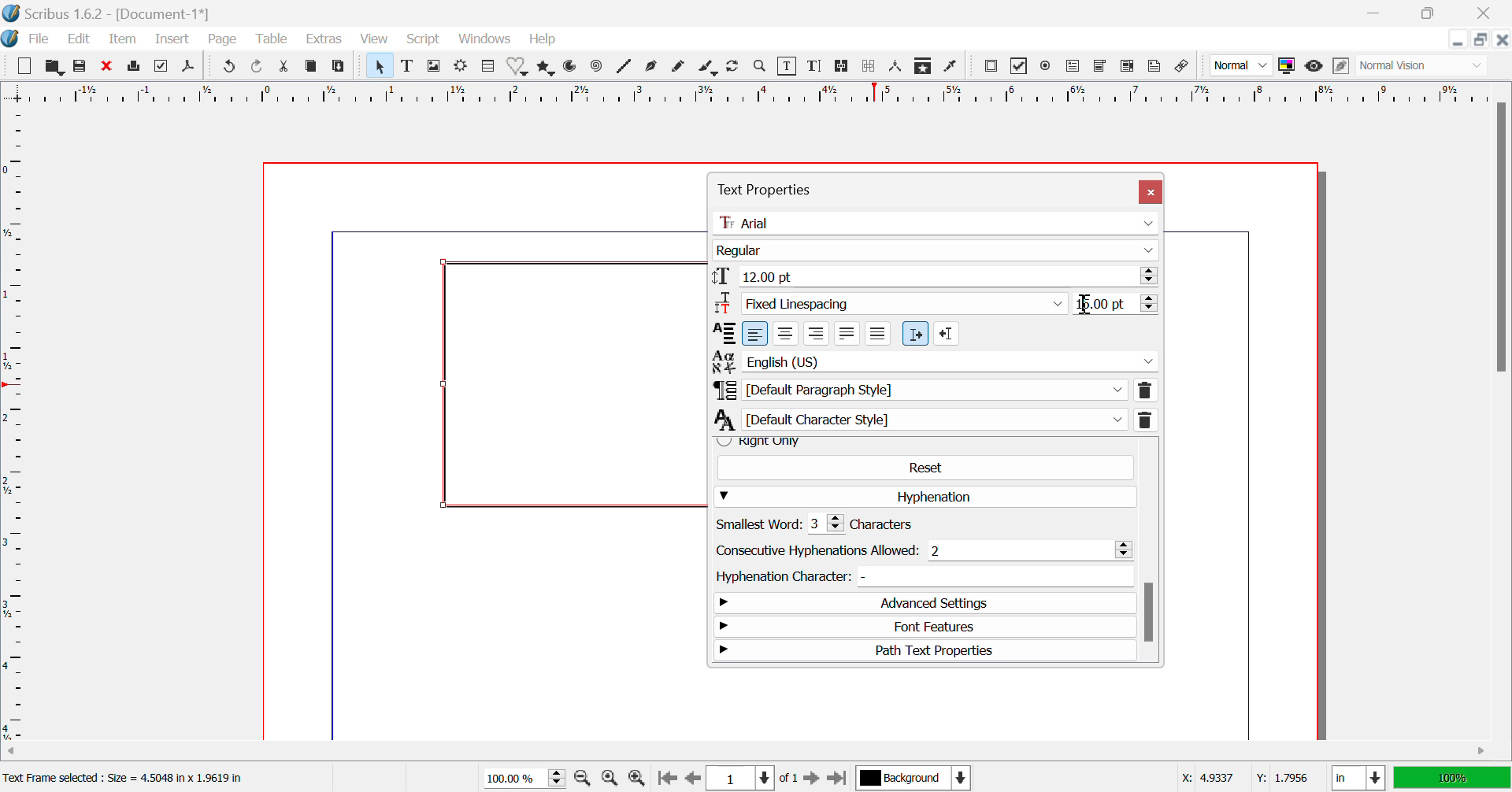  Describe the element at coordinates (379, 65) in the screenshot. I see `Select` at that location.